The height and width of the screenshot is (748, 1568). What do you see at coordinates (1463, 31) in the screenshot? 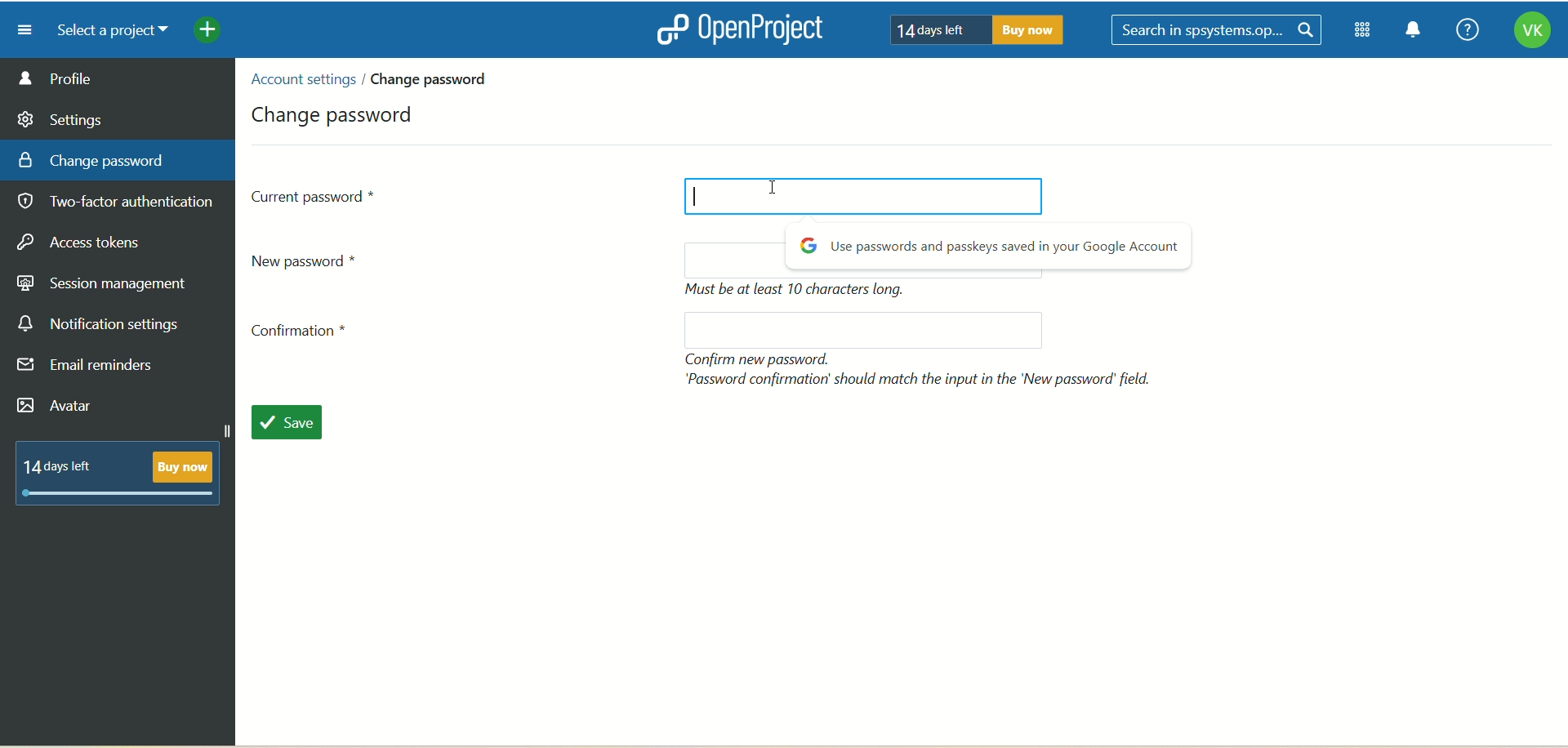
I see `help` at bounding box center [1463, 31].